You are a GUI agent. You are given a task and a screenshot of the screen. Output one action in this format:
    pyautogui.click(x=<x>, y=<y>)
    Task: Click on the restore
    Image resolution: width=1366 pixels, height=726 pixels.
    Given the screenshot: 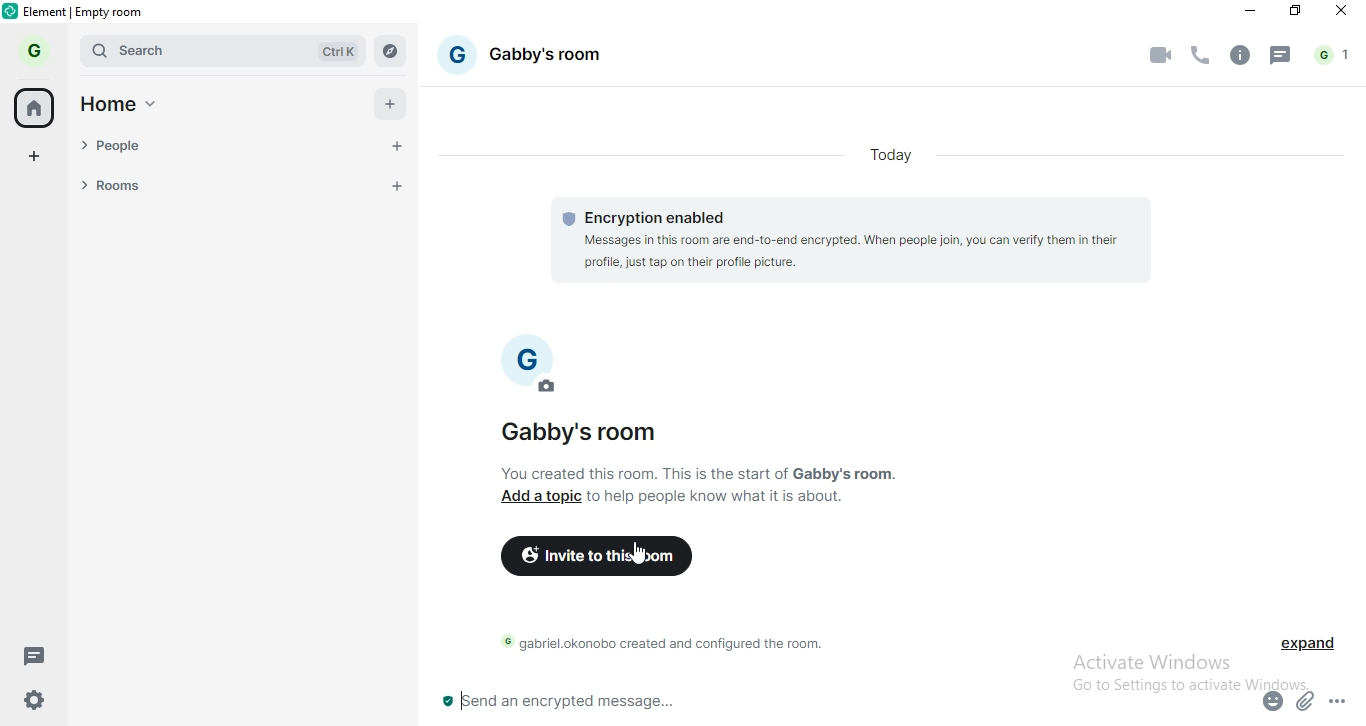 What is the action you would take?
    pyautogui.click(x=1295, y=13)
    